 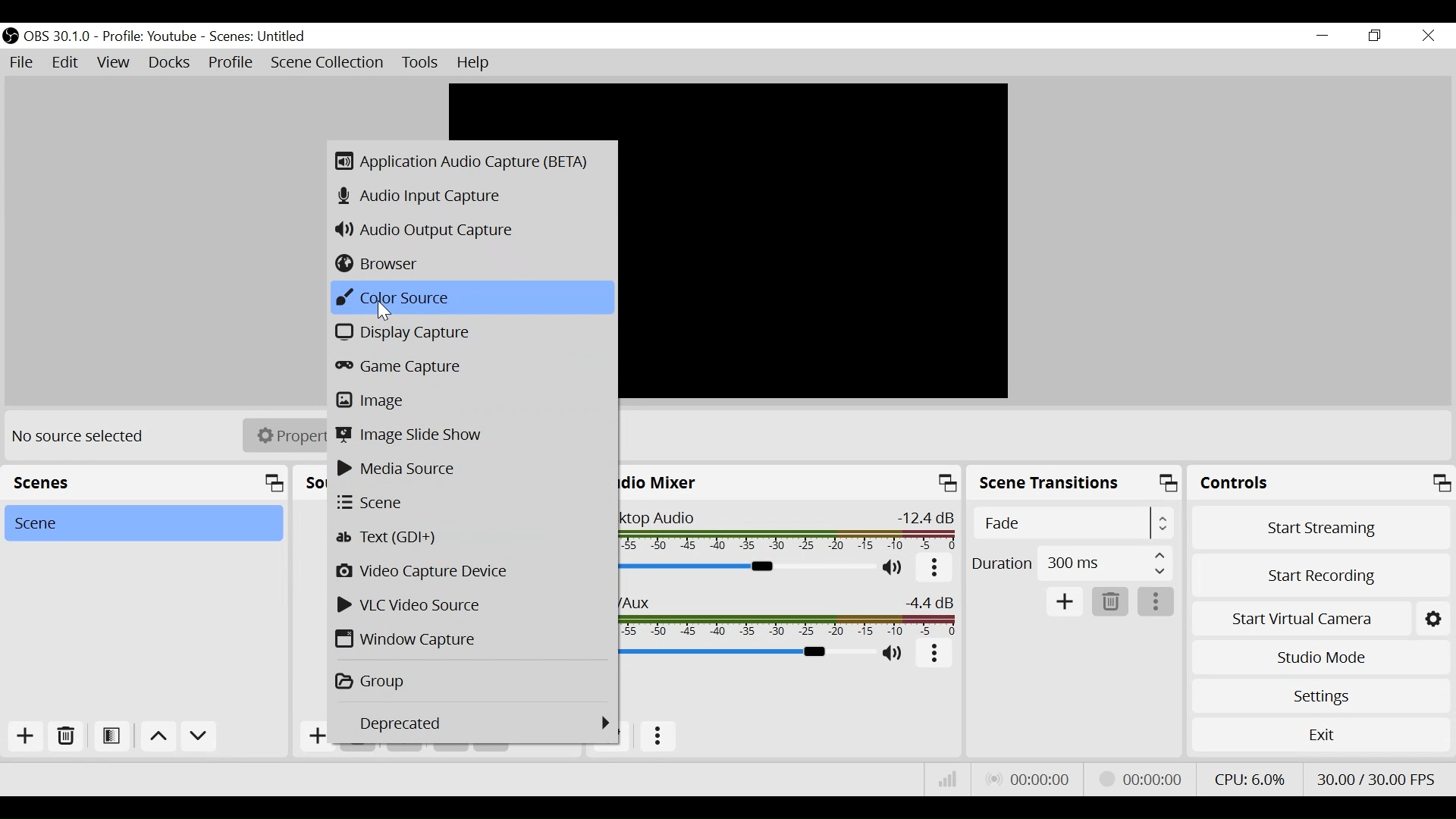 What do you see at coordinates (418, 62) in the screenshot?
I see `Tools` at bounding box center [418, 62].